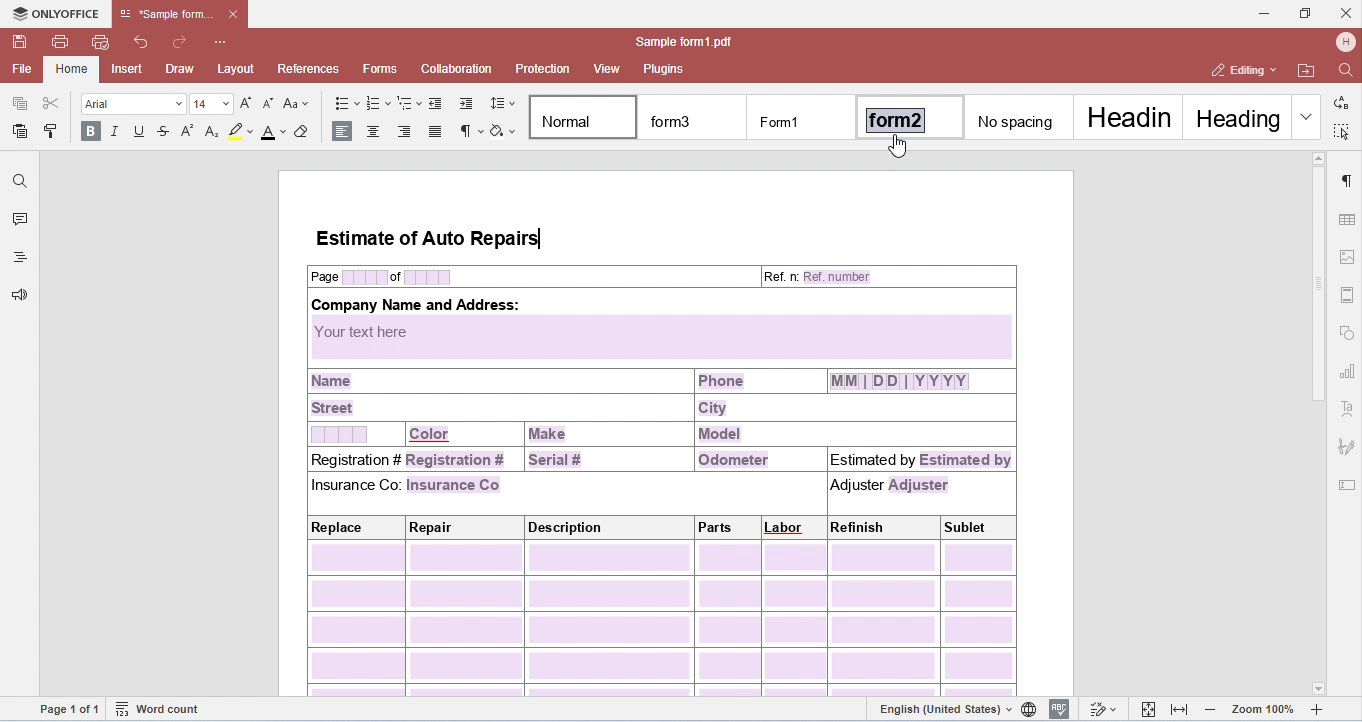 Image resolution: width=1362 pixels, height=722 pixels. What do you see at coordinates (241, 133) in the screenshot?
I see `background color` at bounding box center [241, 133].